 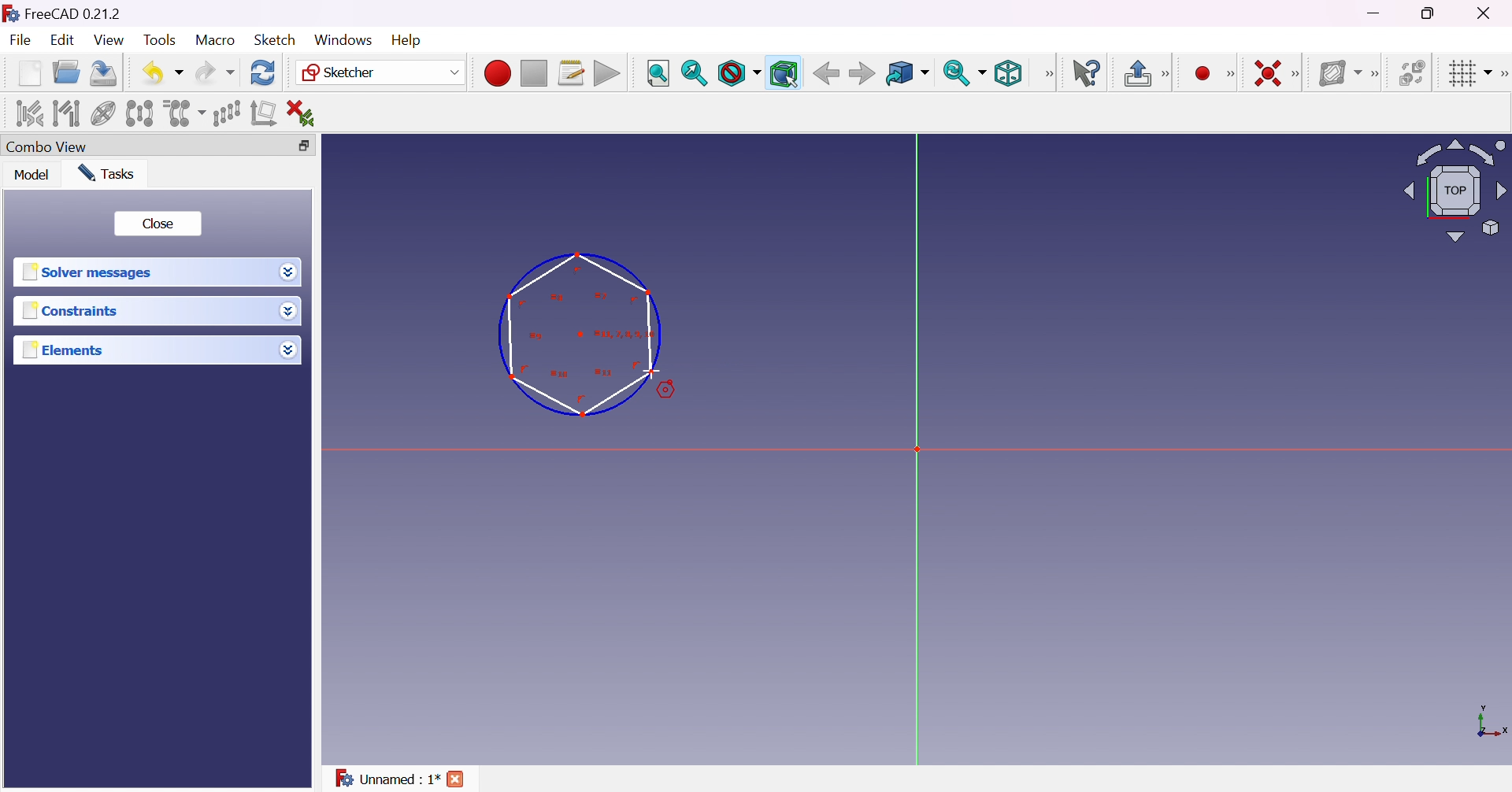 I want to click on Macro recording..., so click(x=497, y=73).